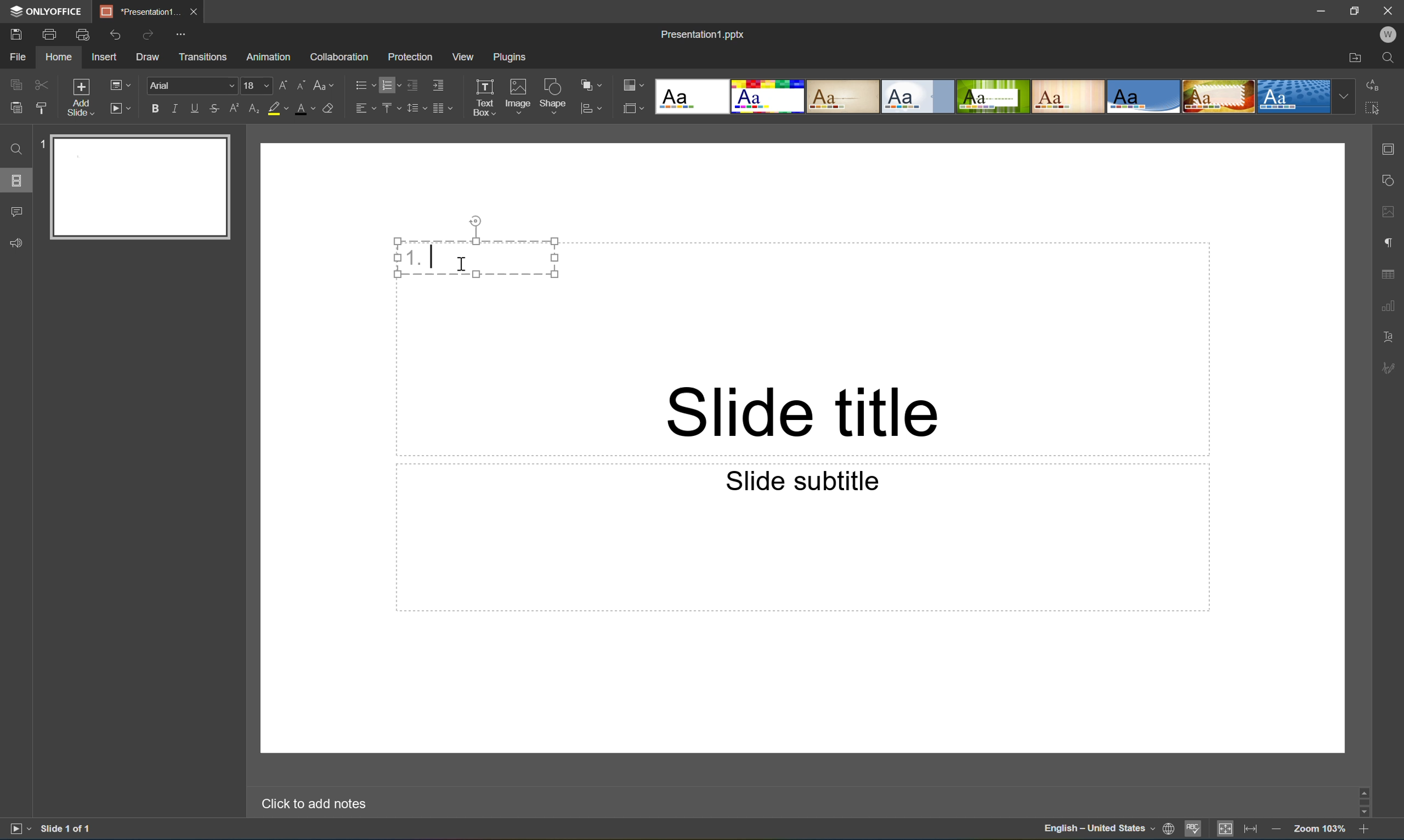  What do you see at coordinates (288, 82) in the screenshot?
I see `Increment font size` at bounding box center [288, 82].